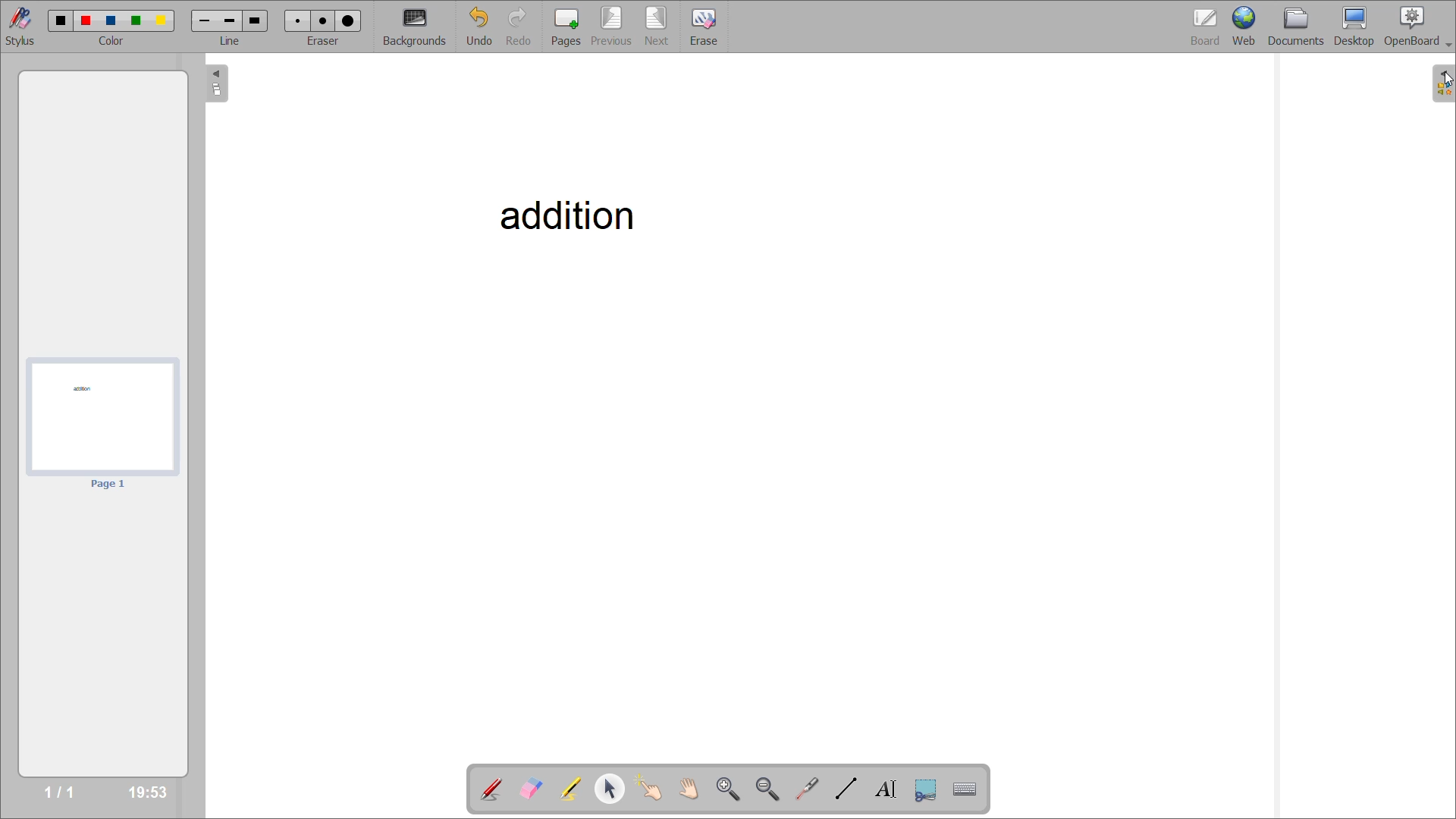 The width and height of the screenshot is (1456, 819). I want to click on eraser 2, so click(319, 20).